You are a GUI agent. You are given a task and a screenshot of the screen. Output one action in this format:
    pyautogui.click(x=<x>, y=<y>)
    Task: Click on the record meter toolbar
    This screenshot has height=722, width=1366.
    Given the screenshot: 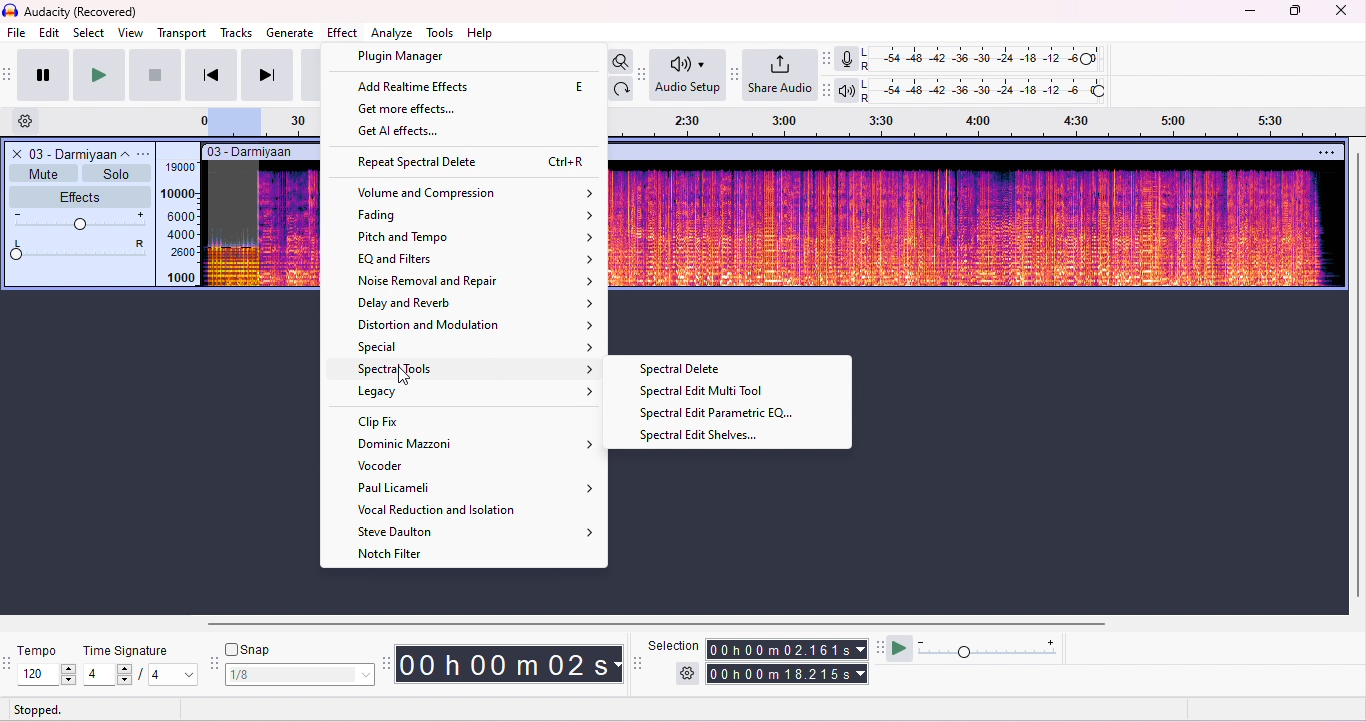 What is the action you would take?
    pyautogui.click(x=828, y=58)
    